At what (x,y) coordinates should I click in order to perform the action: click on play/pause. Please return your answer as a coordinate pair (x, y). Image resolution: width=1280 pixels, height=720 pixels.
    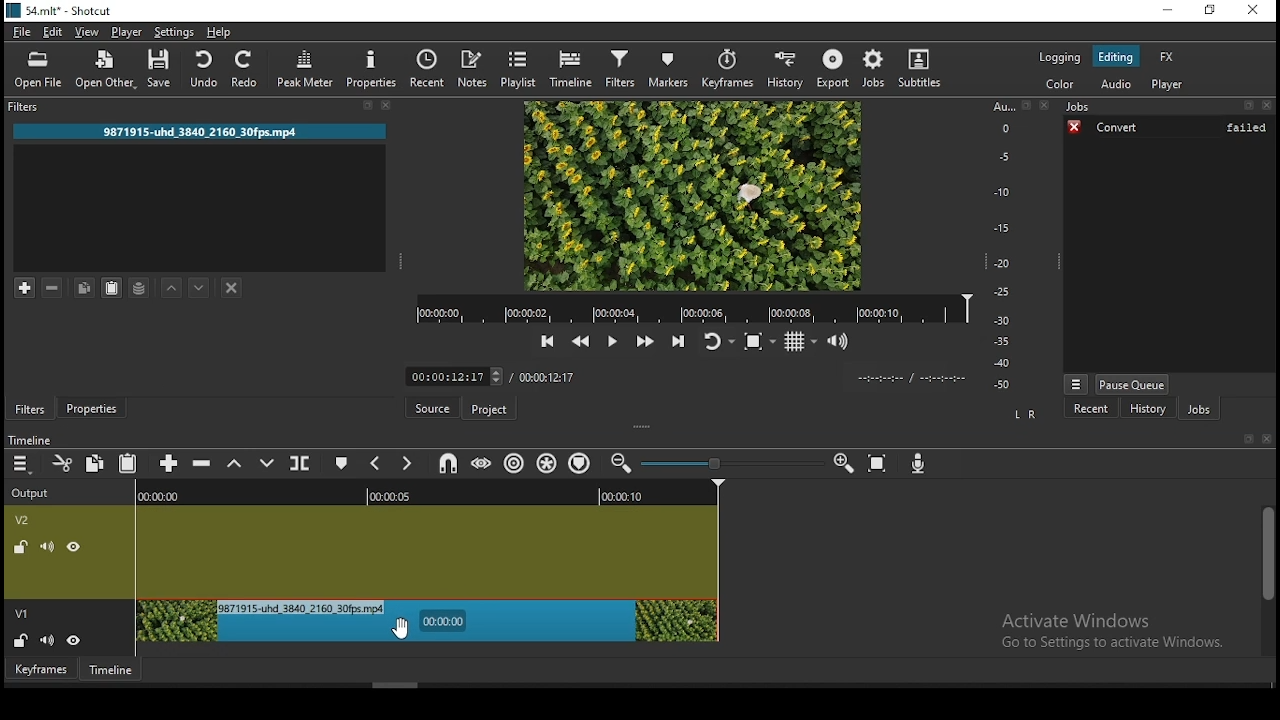
    Looking at the image, I should click on (612, 340).